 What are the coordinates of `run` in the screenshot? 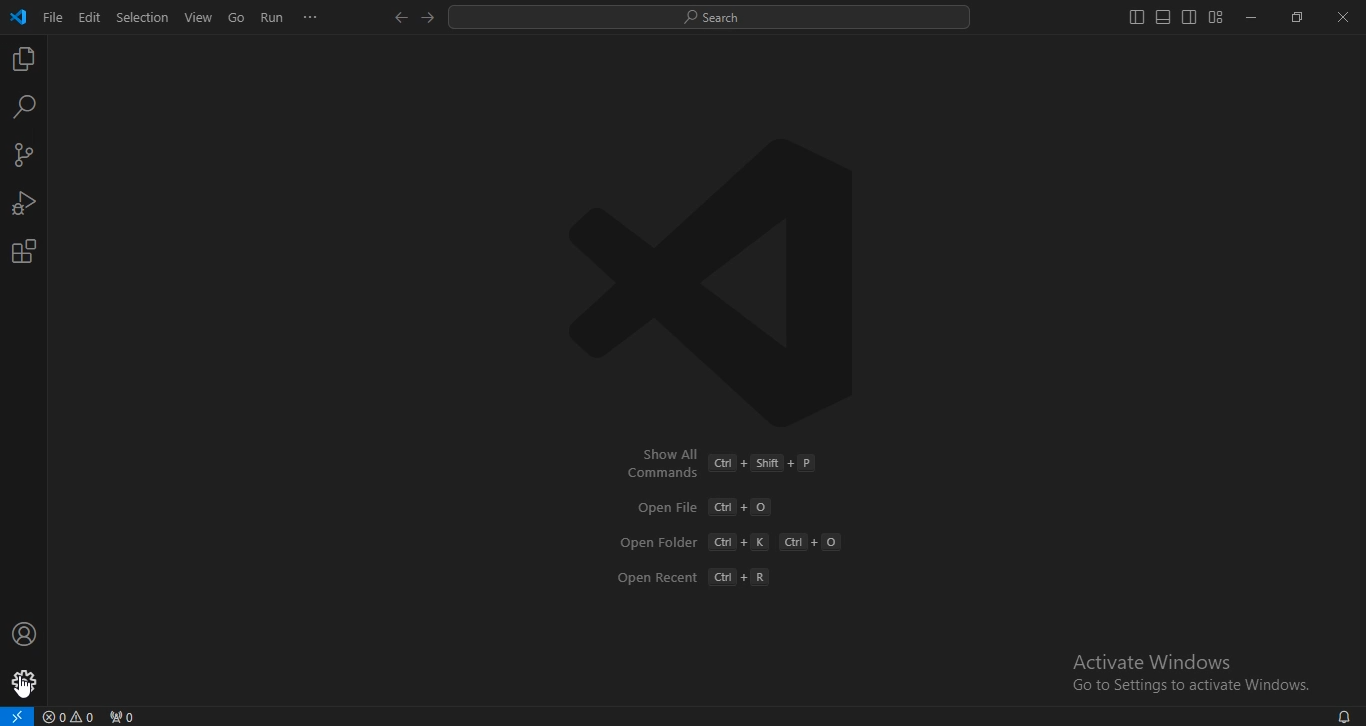 It's located at (273, 18).